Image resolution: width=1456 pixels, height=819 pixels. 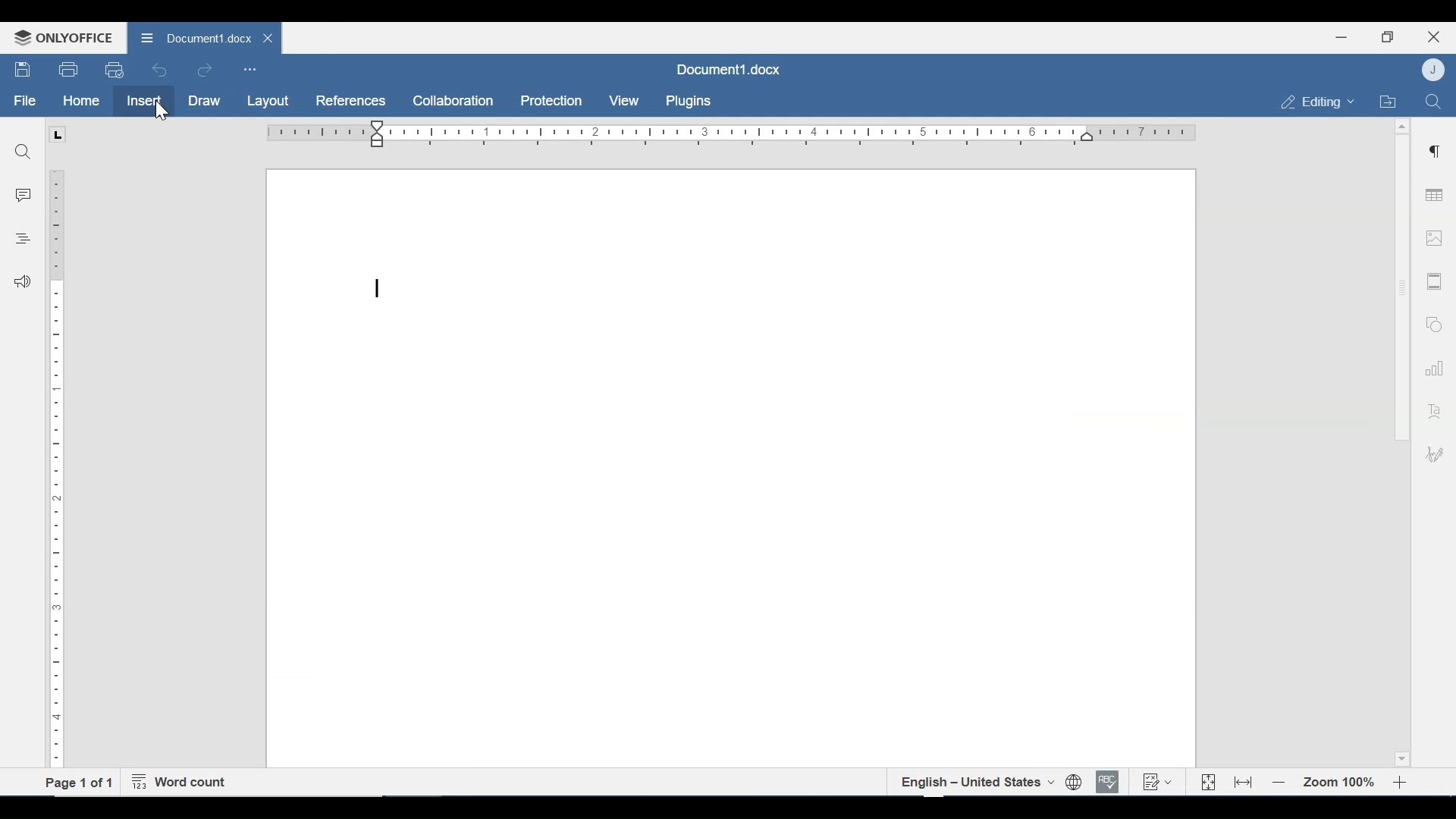 I want to click on Graph, so click(x=1431, y=366).